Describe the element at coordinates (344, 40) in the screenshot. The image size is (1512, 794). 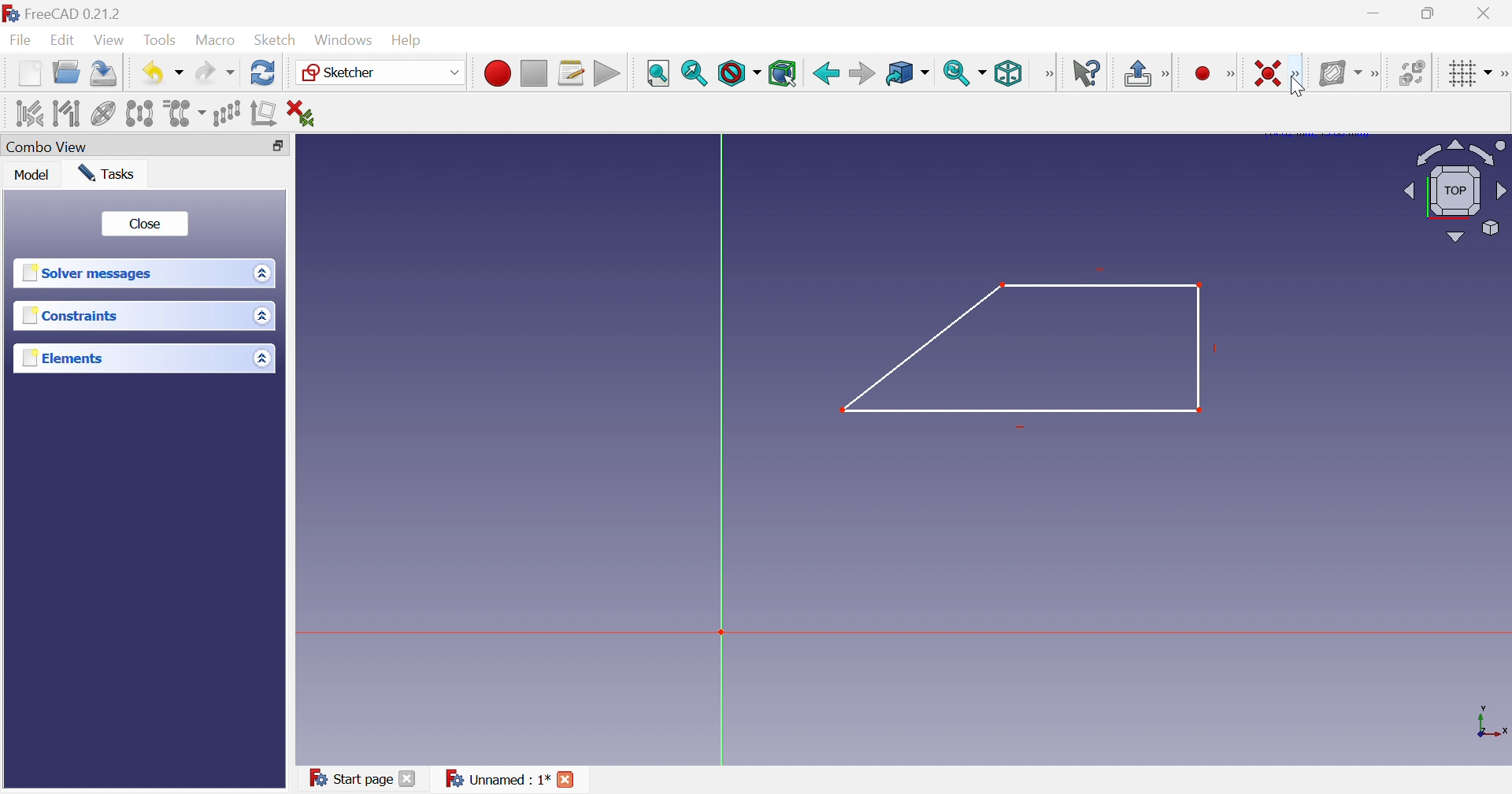
I see `Windows` at that location.